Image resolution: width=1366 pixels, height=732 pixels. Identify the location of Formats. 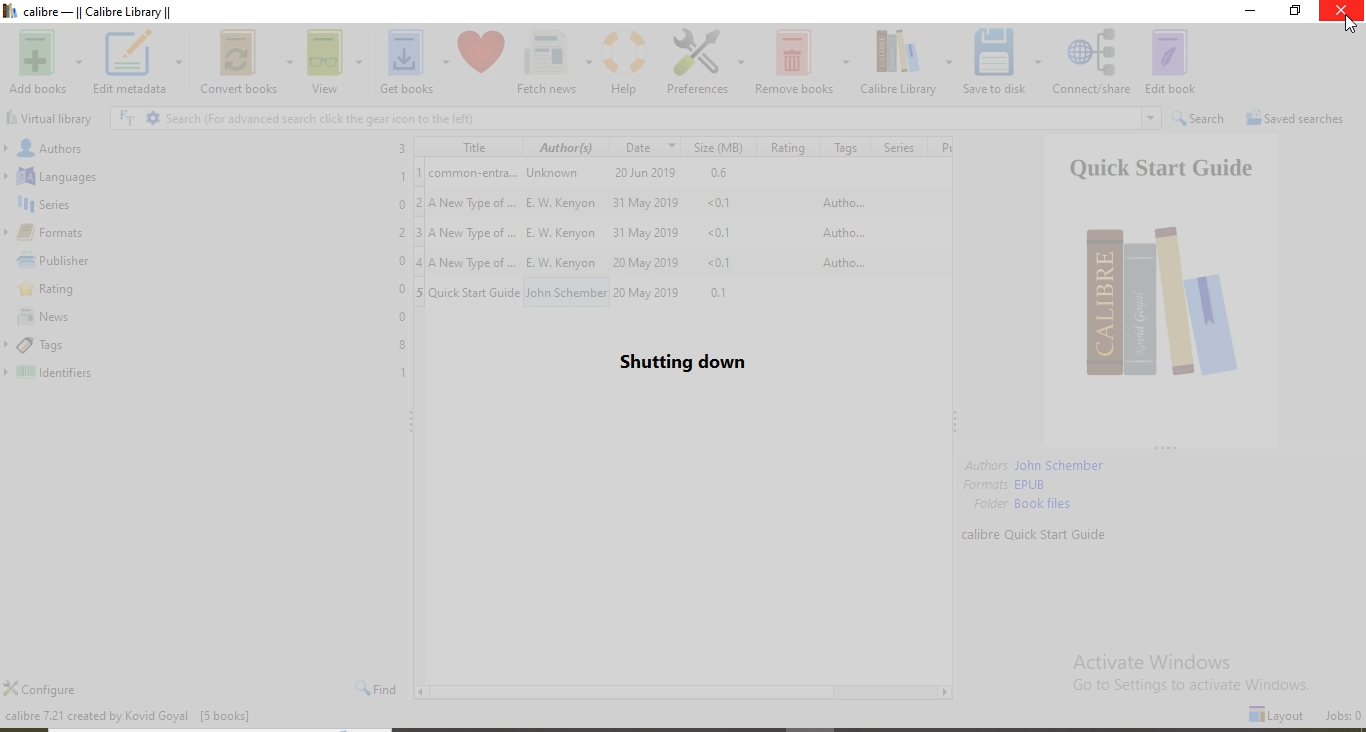
(204, 233).